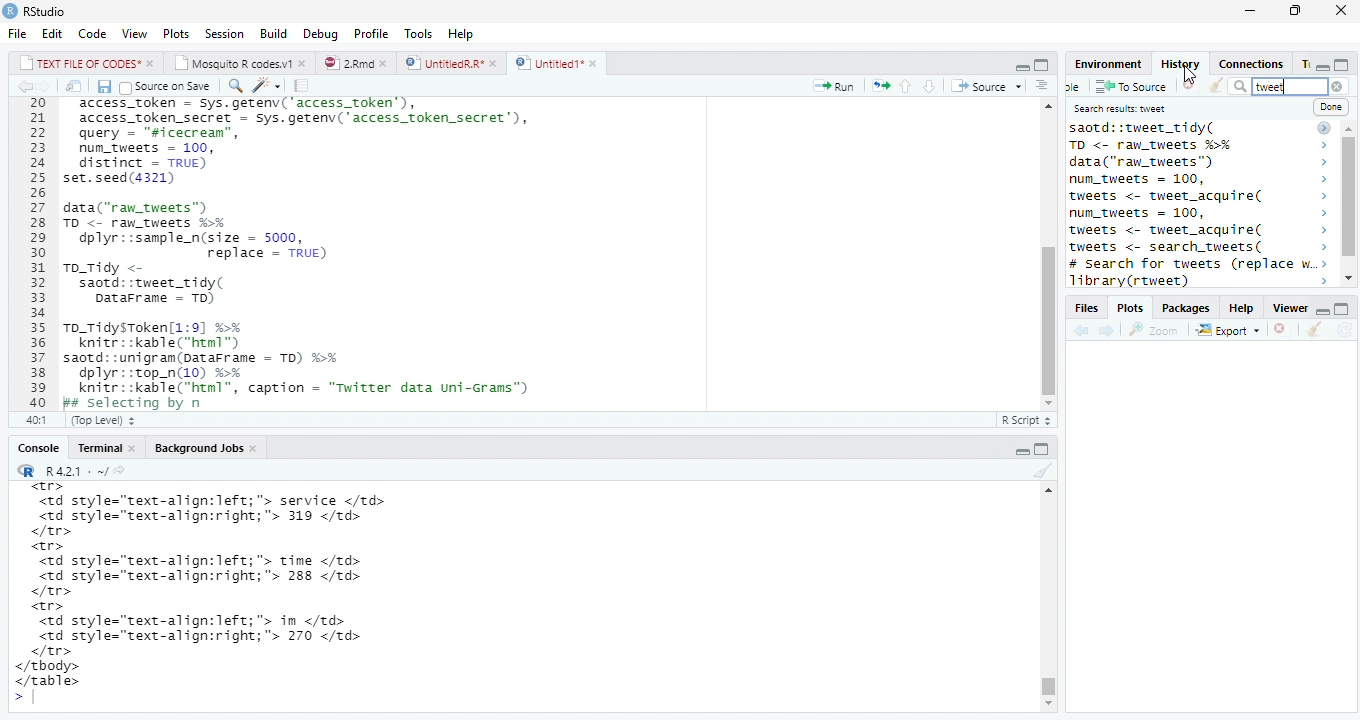 The height and width of the screenshot is (720, 1360). Describe the element at coordinates (1189, 76) in the screenshot. I see `cursor` at that location.